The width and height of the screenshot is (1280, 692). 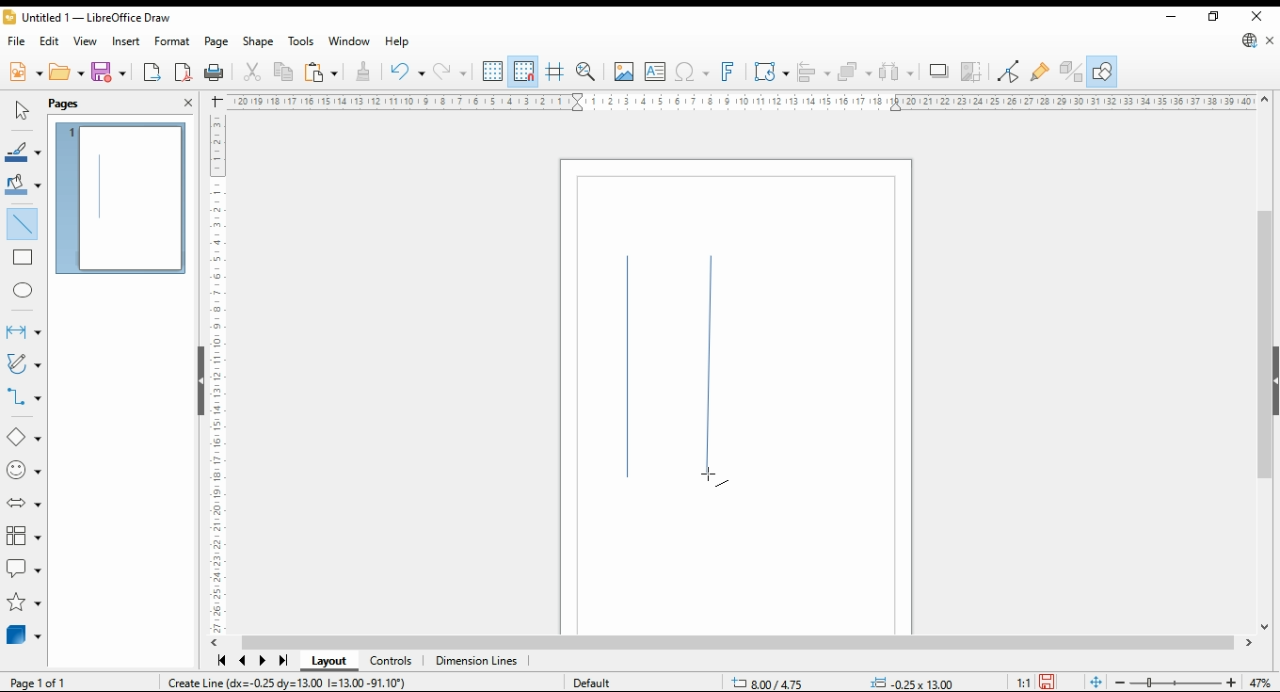 I want to click on restore, so click(x=1213, y=17).